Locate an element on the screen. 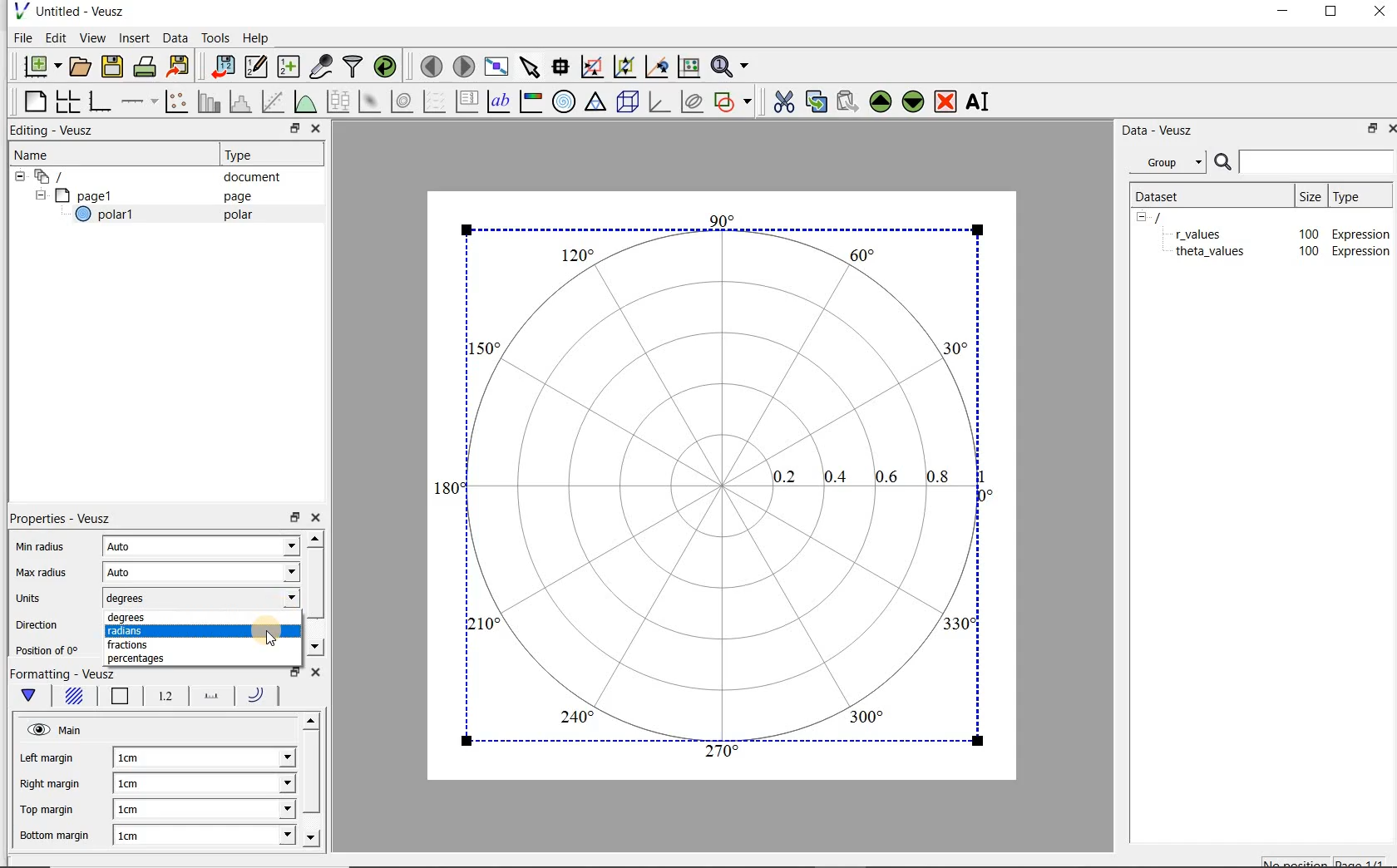 The height and width of the screenshot is (868, 1397). Auto is located at coordinates (136, 572).